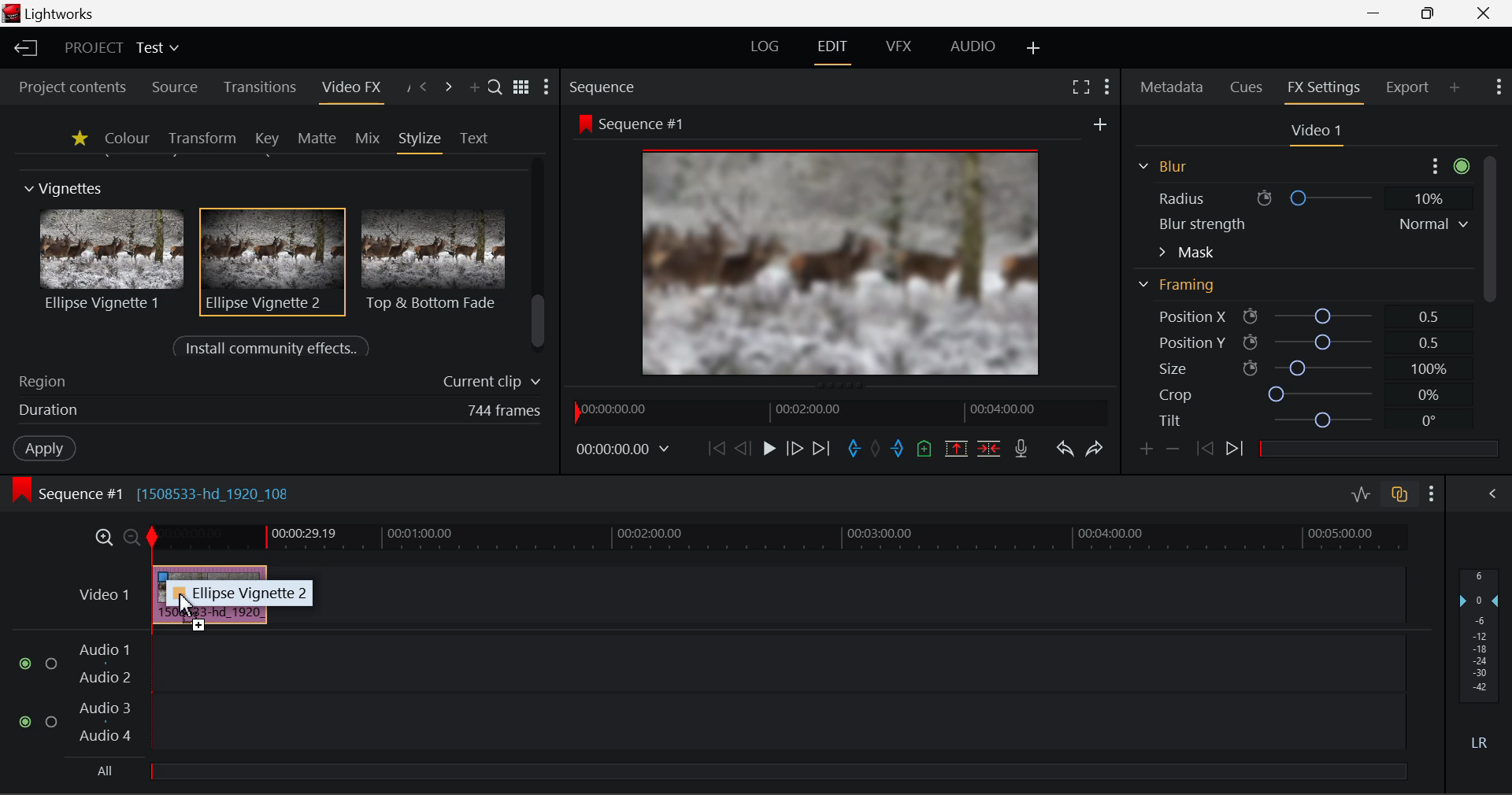 Image resolution: width=1512 pixels, height=795 pixels. What do you see at coordinates (1092, 447) in the screenshot?
I see `Redo` at bounding box center [1092, 447].